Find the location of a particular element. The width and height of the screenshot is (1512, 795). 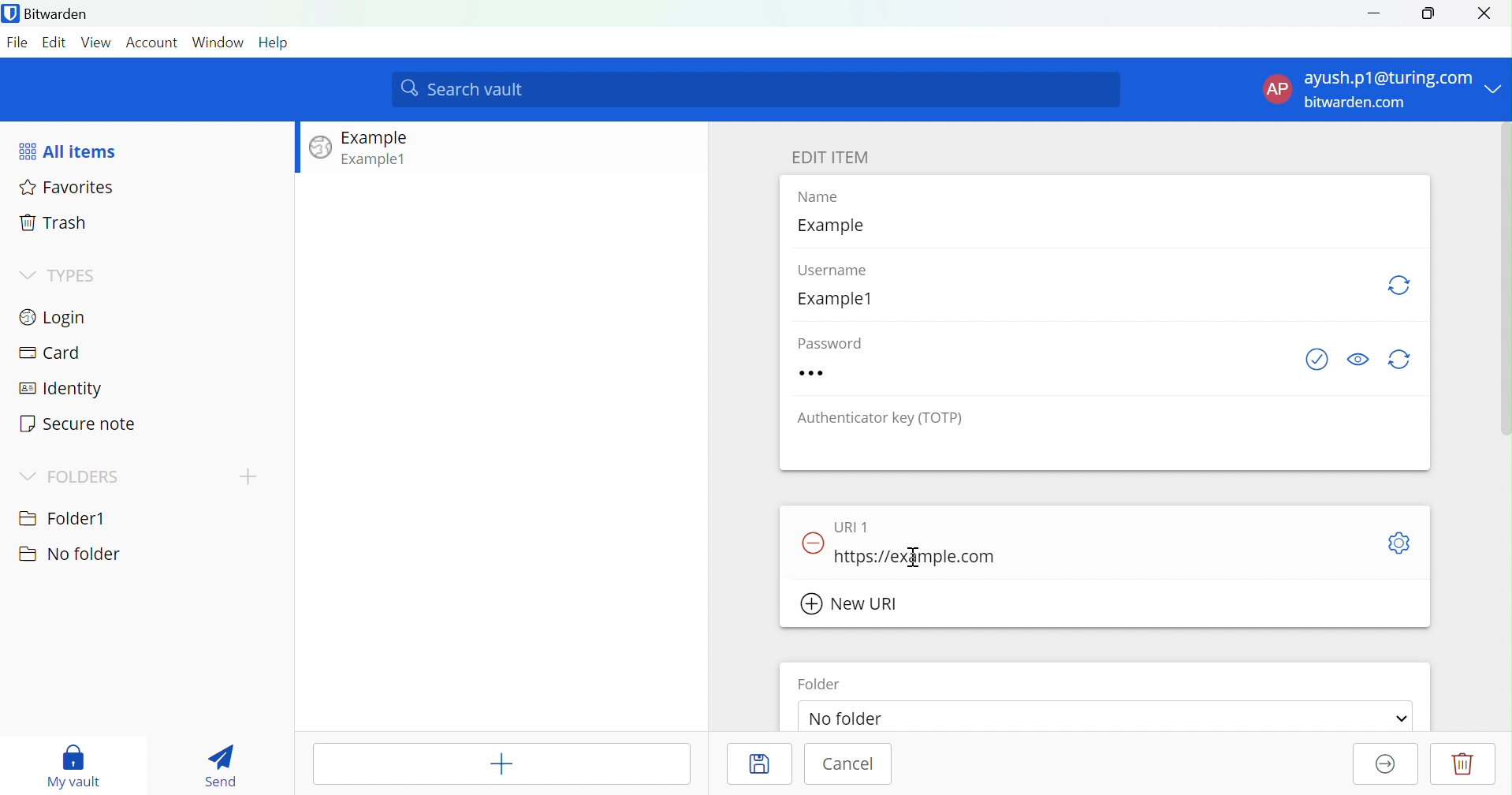

Authenticator key (TOTP) is located at coordinates (883, 419).